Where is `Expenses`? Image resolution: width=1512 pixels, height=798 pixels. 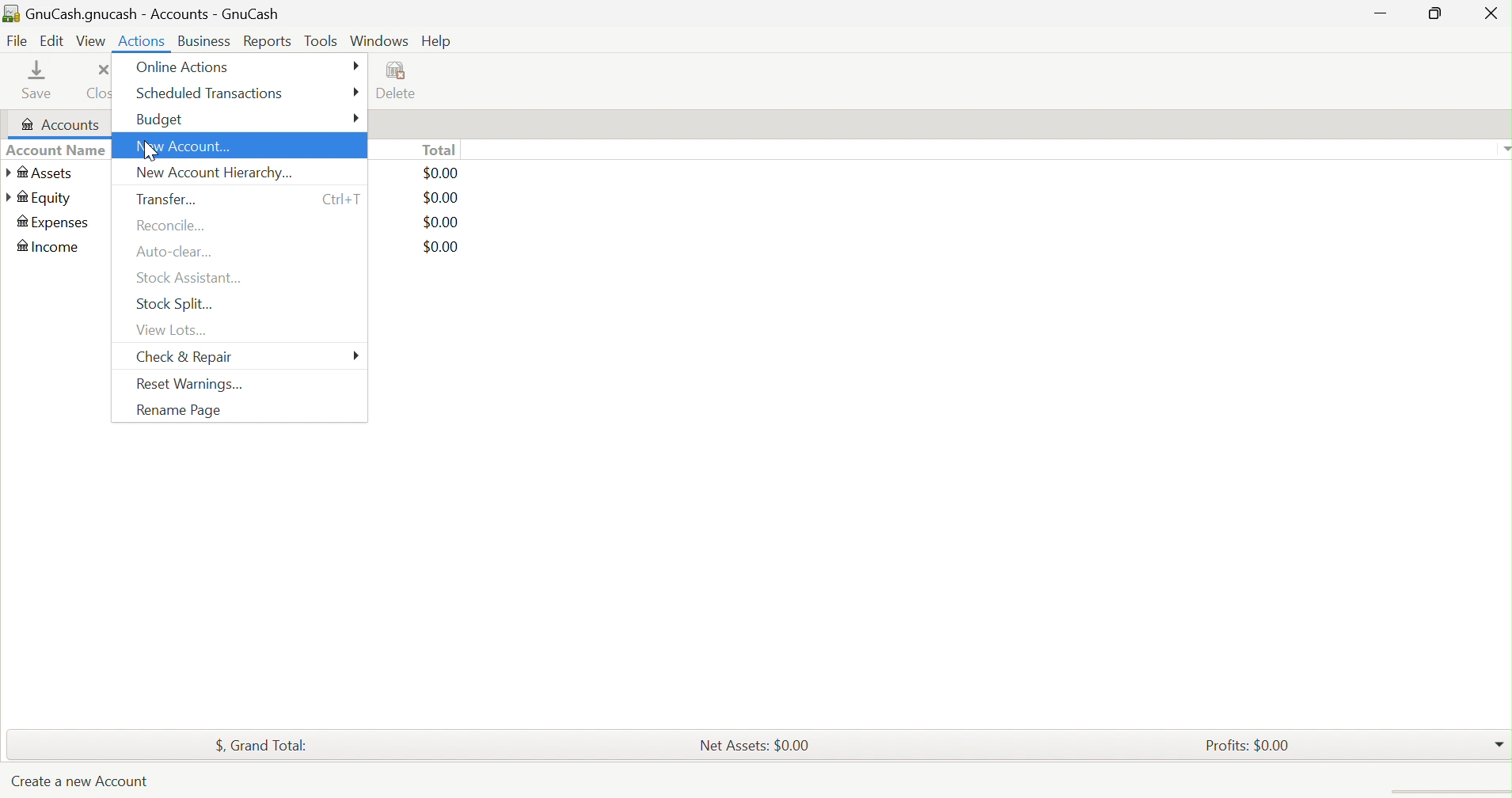 Expenses is located at coordinates (54, 224).